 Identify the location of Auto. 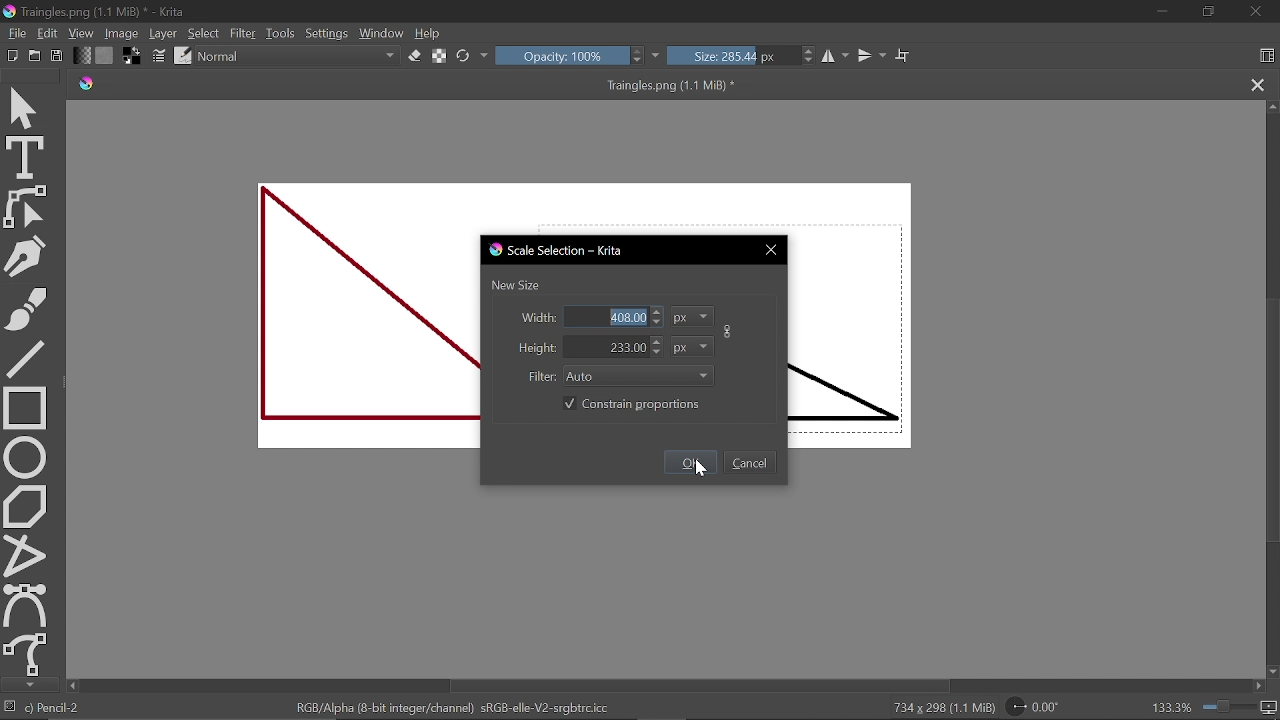
(640, 377).